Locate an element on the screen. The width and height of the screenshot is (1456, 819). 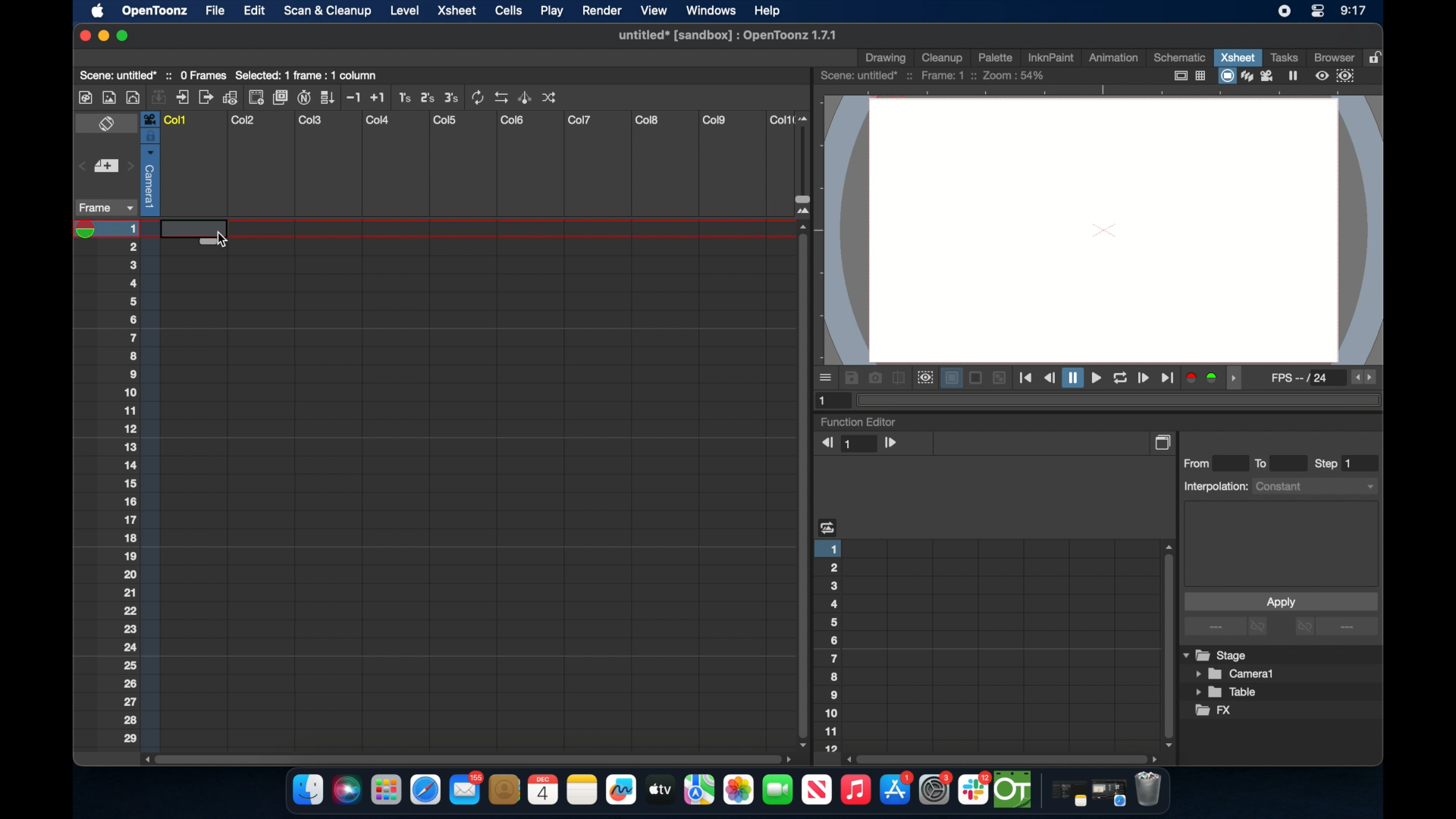
lock is located at coordinates (1377, 56).